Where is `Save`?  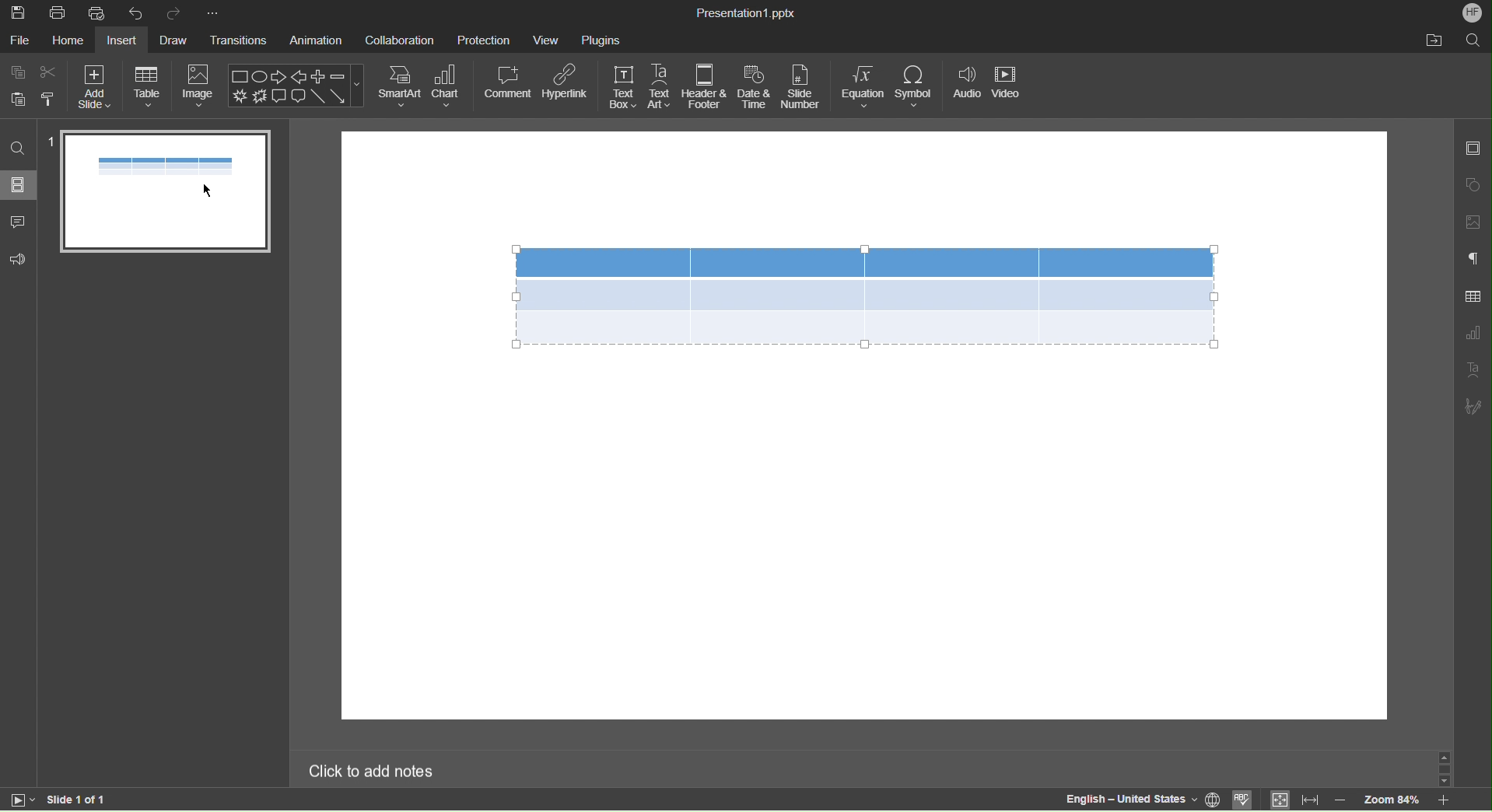
Save is located at coordinates (18, 12).